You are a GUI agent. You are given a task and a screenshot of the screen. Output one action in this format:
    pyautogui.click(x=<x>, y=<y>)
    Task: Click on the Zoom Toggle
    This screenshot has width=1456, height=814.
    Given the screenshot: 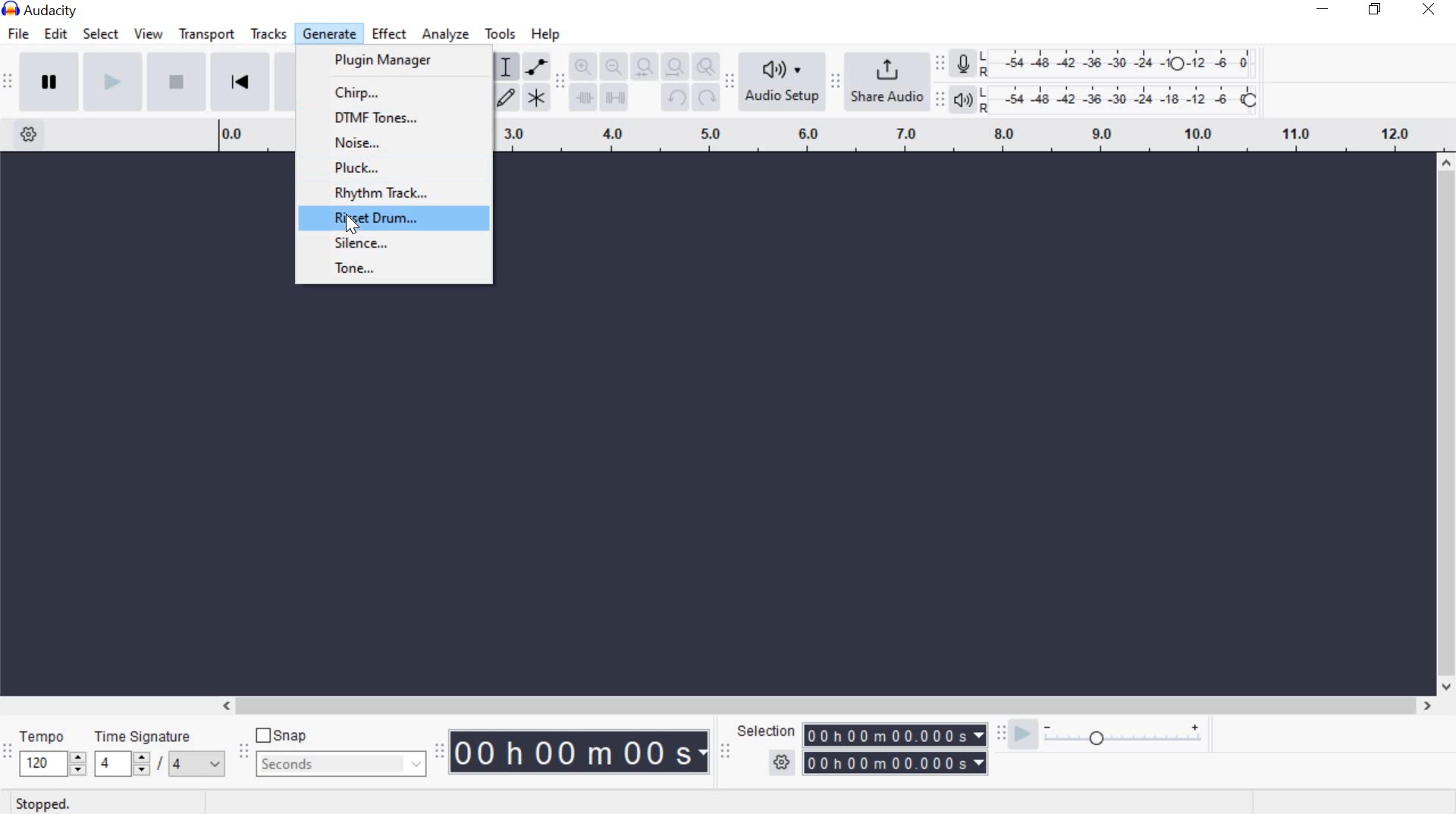 What is the action you would take?
    pyautogui.click(x=704, y=66)
    